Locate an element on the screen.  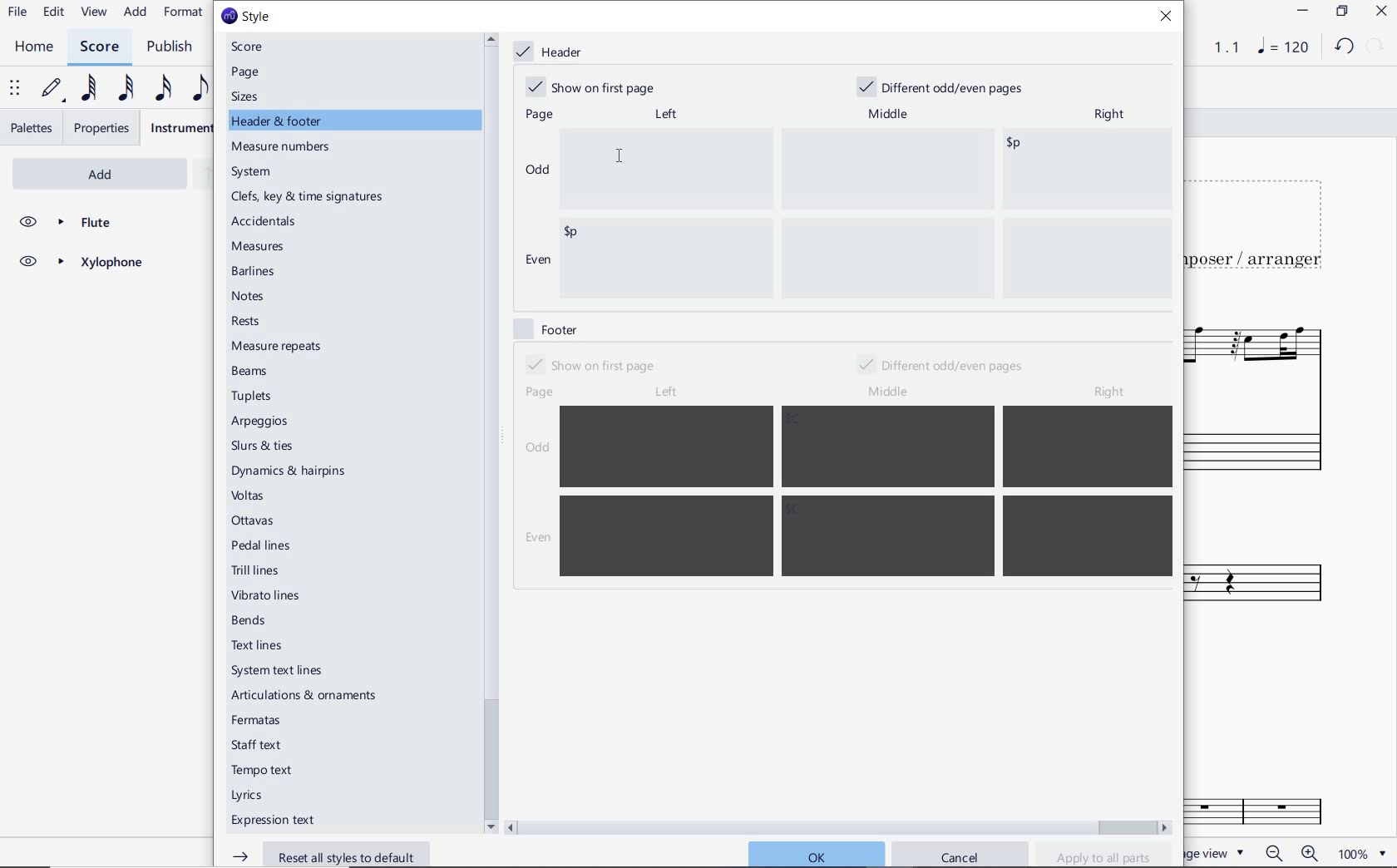
system is located at coordinates (254, 172).